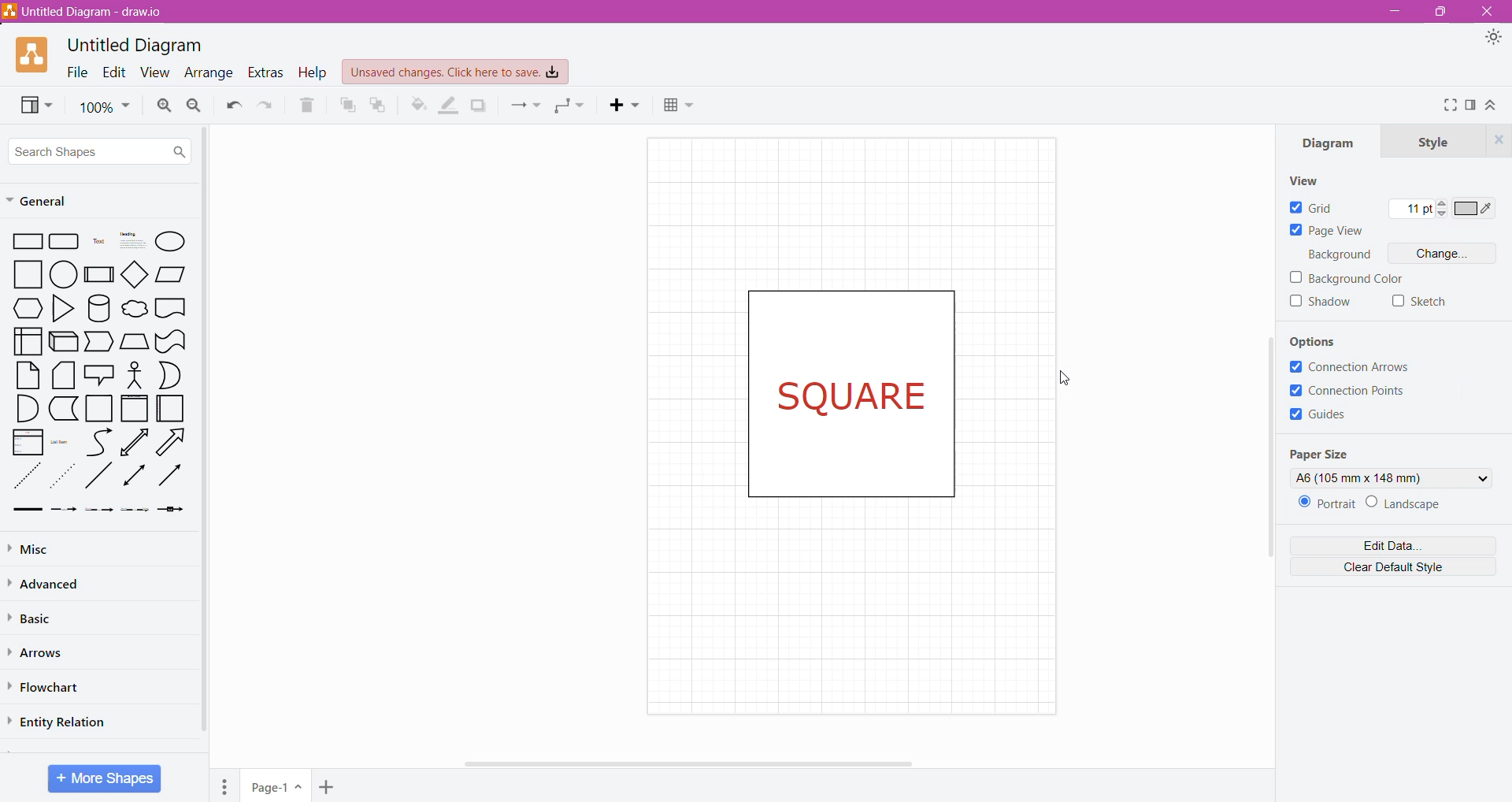 This screenshot has height=802, width=1512. Describe the element at coordinates (1319, 418) in the screenshot. I see `Guides - Click to enable/disable` at that location.